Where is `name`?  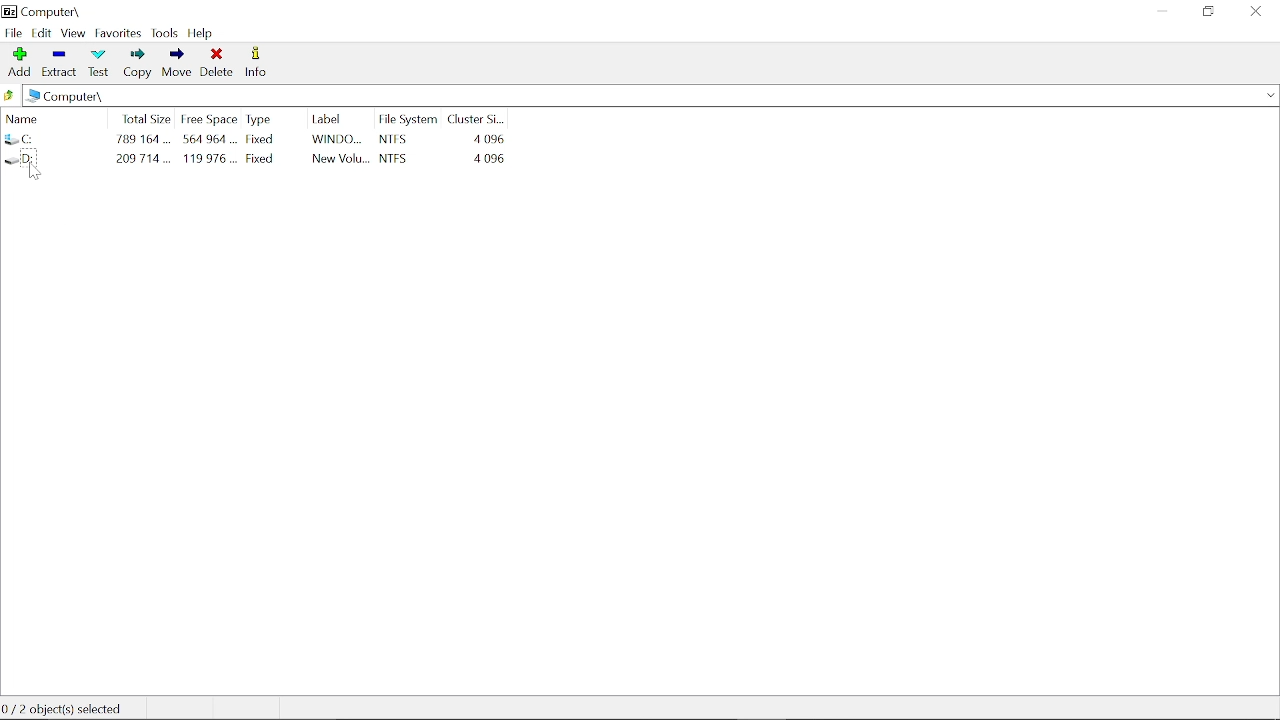
name is located at coordinates (50, 117).